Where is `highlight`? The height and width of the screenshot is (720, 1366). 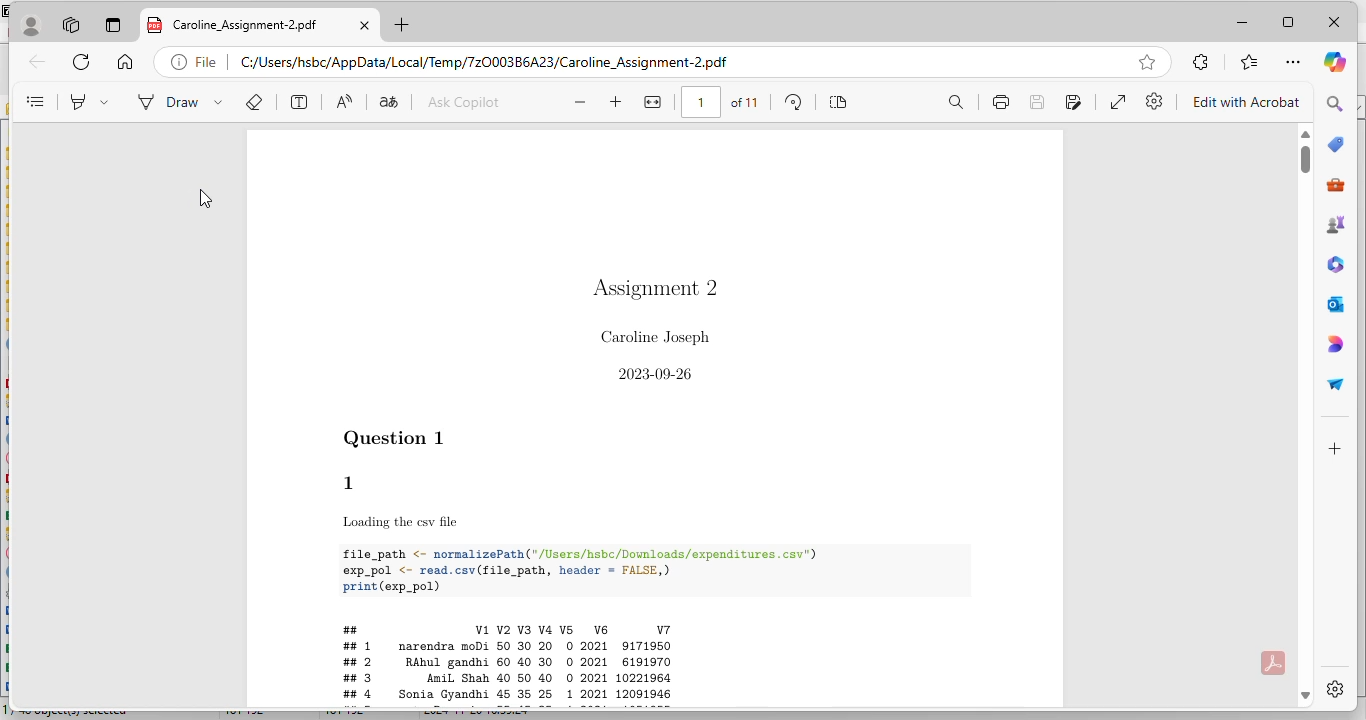 highlight is located at coordinates (90, 101).